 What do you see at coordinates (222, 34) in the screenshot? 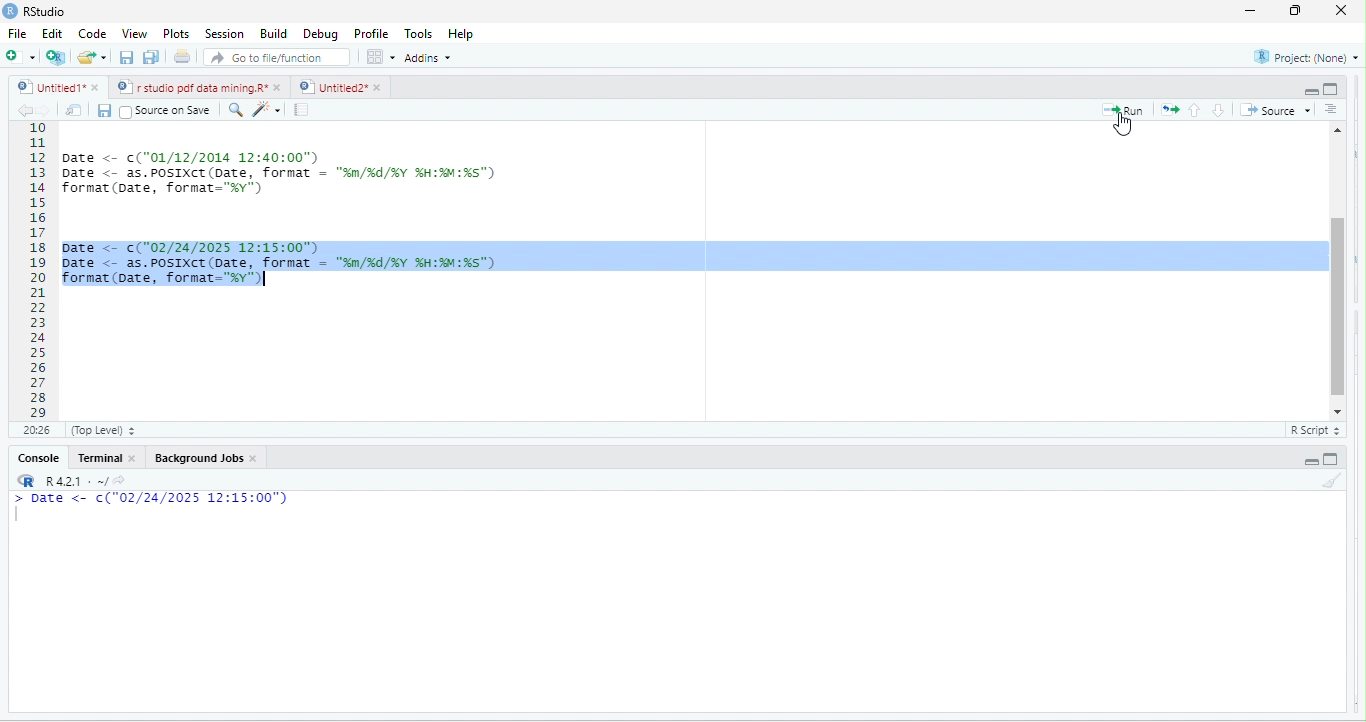
I see `Session` at bounding box center [222, 34].